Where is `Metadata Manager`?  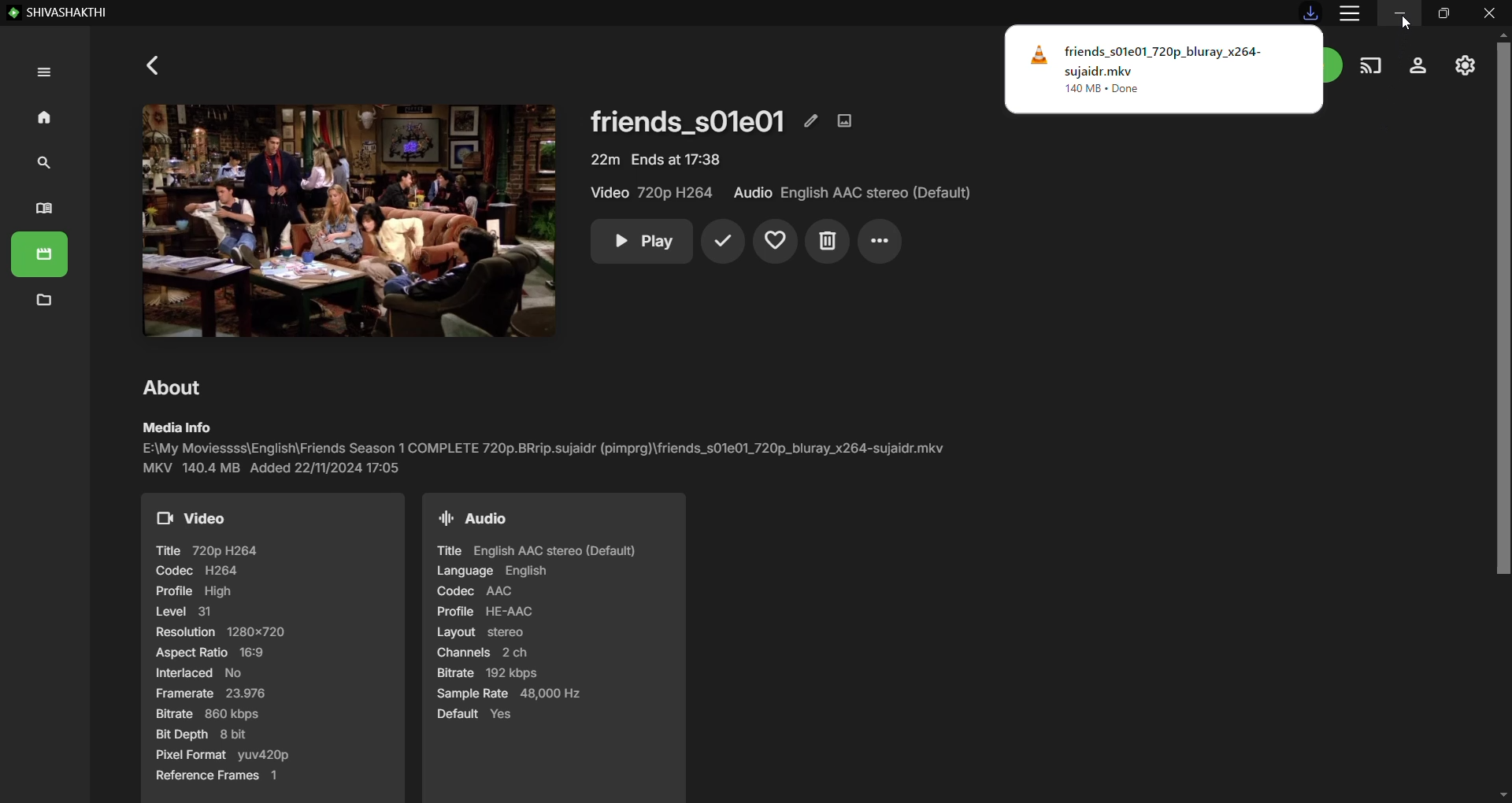
Metadata Manager is located at coordinates (43, 302).